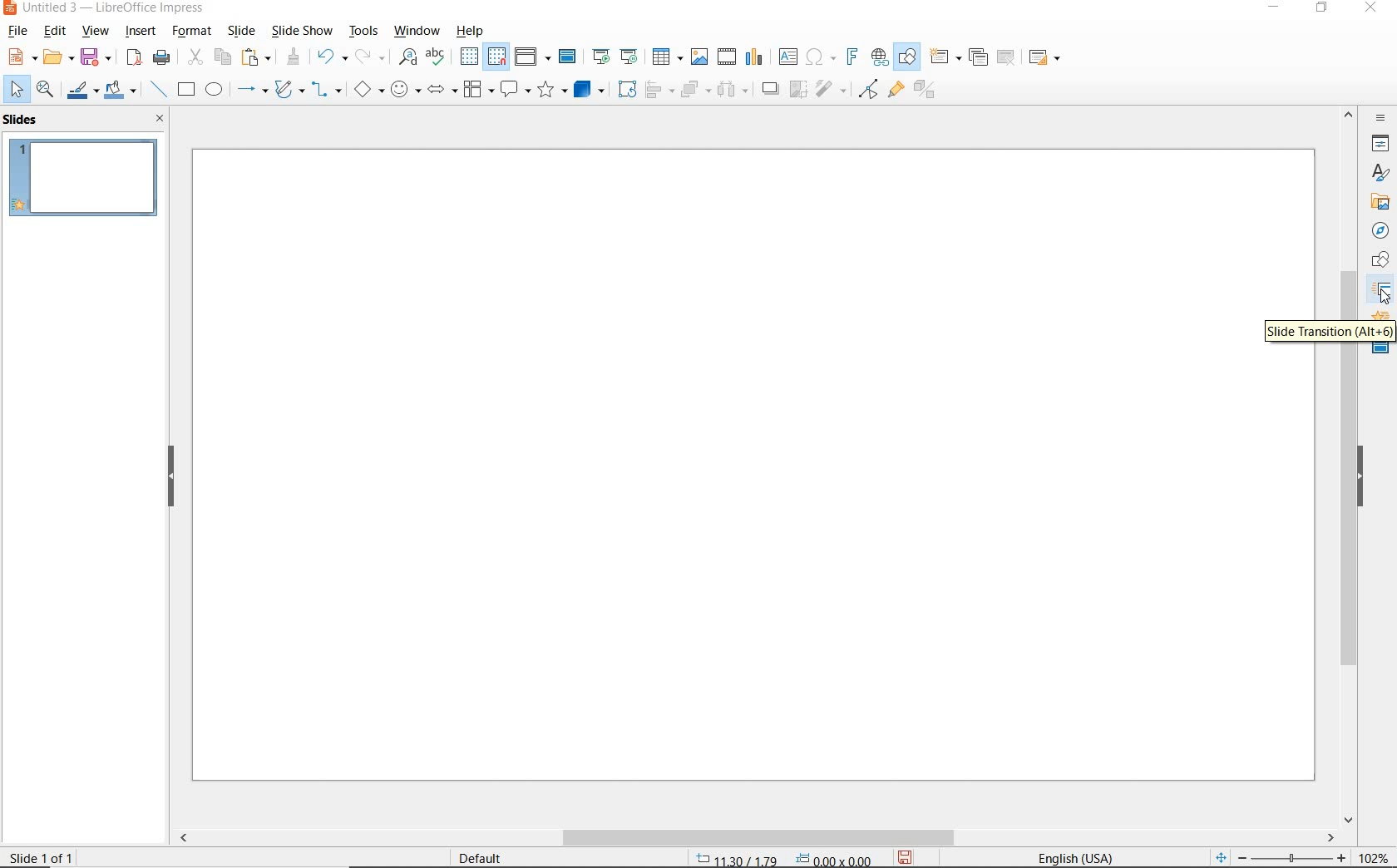  What do you see at coordinates (1005, 57) in the screenshot?
I see `DELETE SLIDE` at bounding box center [1005, 57].